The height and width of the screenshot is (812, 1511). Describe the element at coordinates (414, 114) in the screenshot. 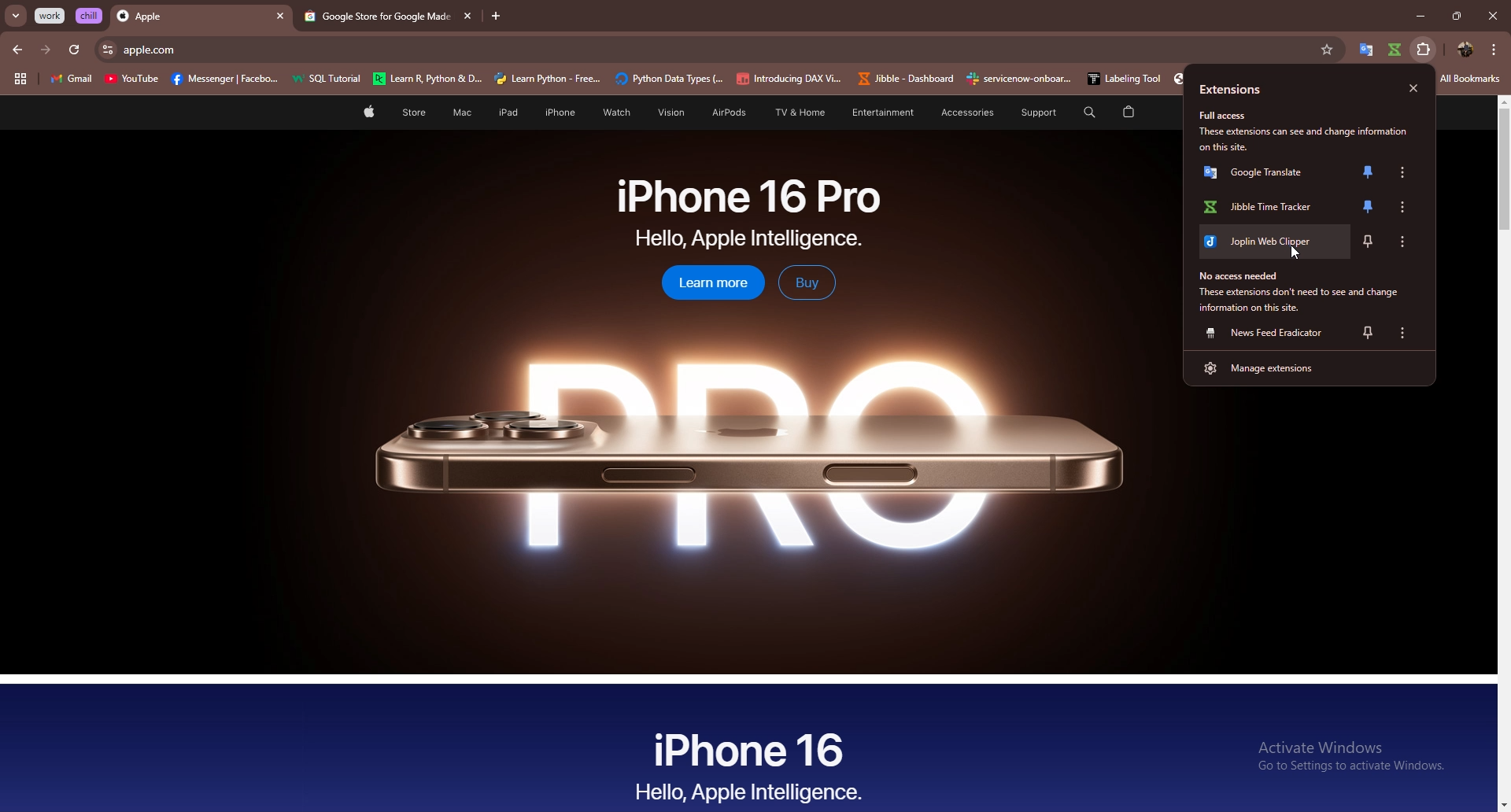

I see `Store` at that location.